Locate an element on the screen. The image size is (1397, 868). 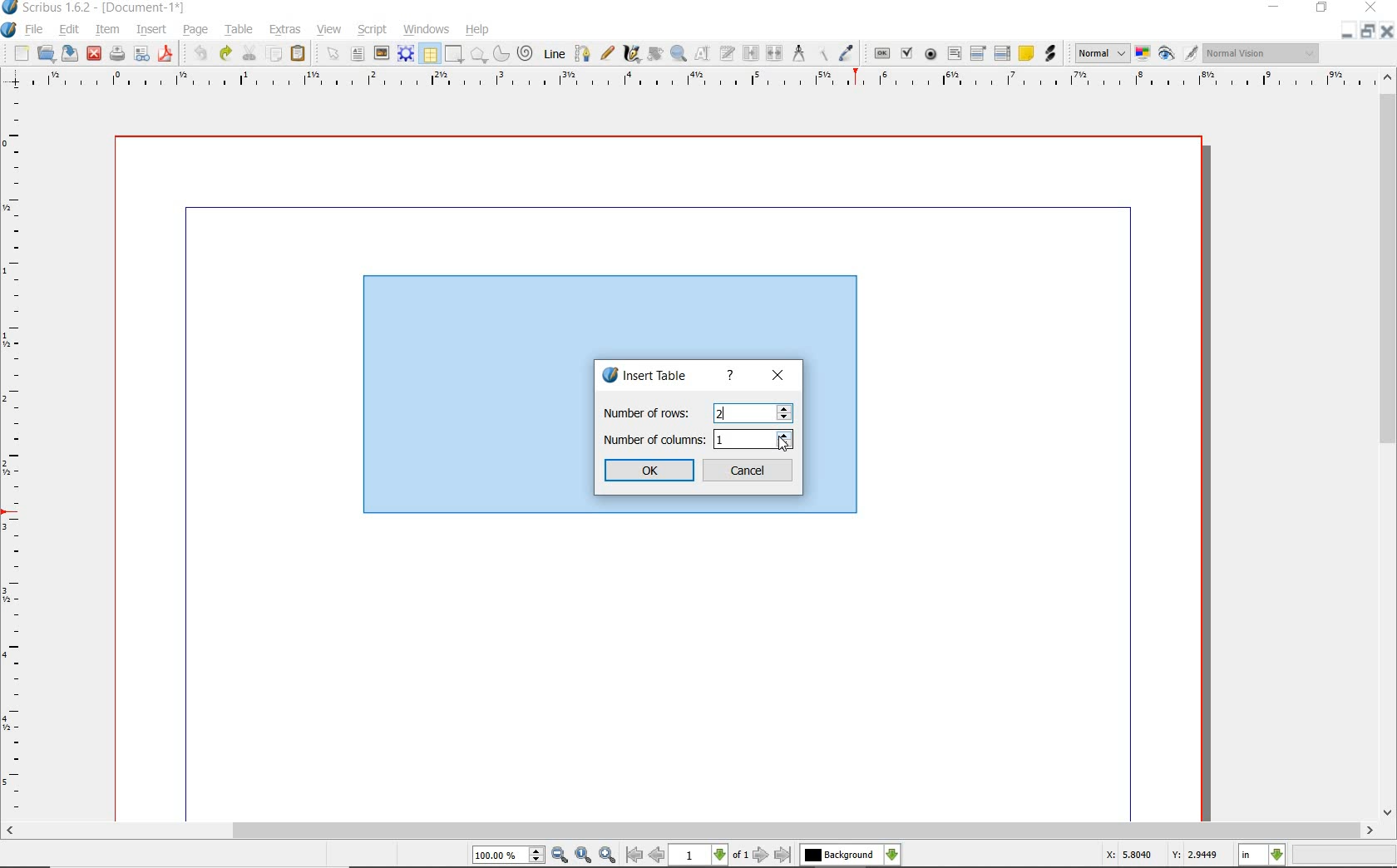
shape is located at coordinates (479, 56).